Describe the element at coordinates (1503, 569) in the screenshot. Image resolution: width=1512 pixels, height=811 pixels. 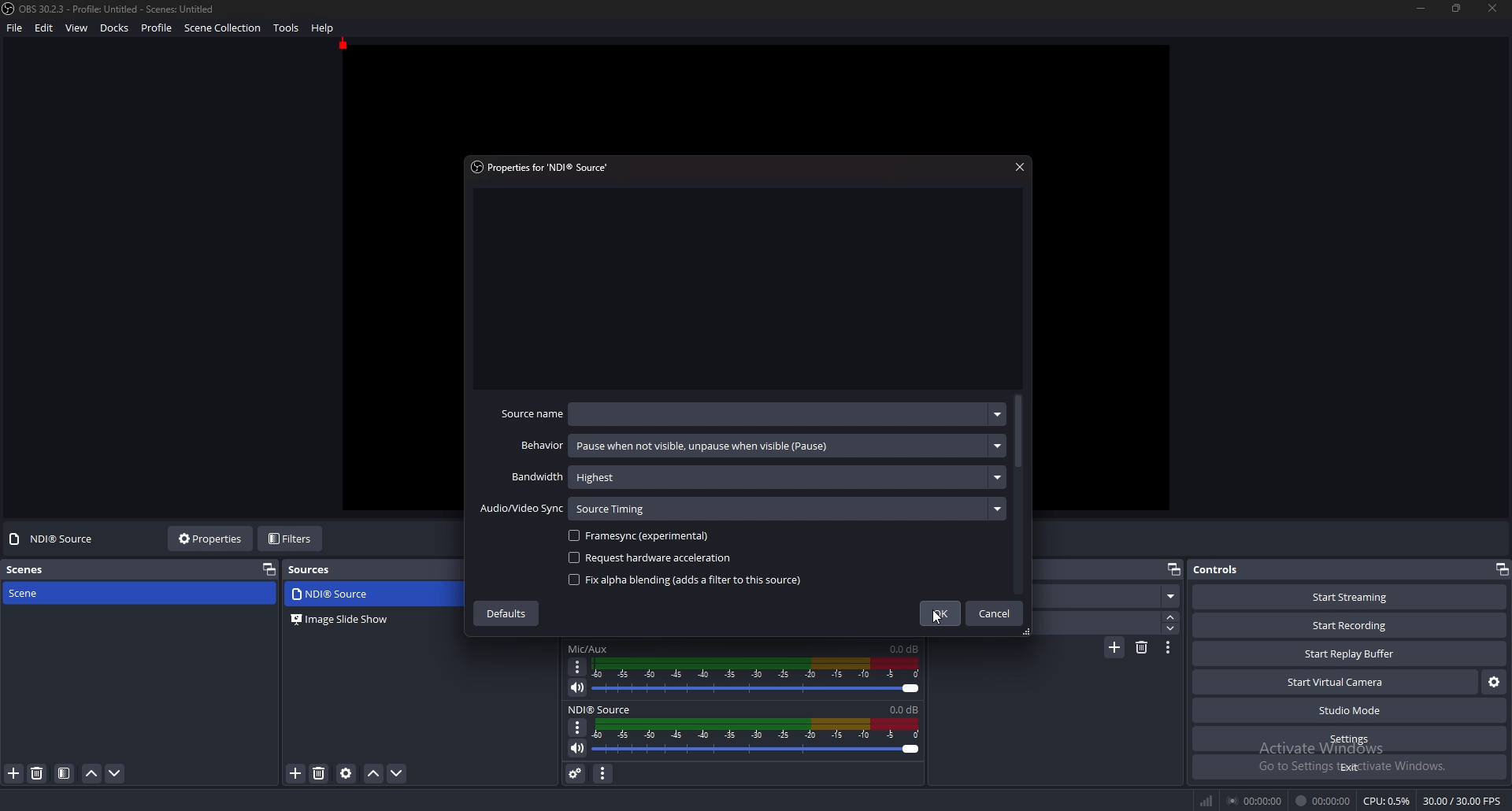
I see `pop out` at that location.